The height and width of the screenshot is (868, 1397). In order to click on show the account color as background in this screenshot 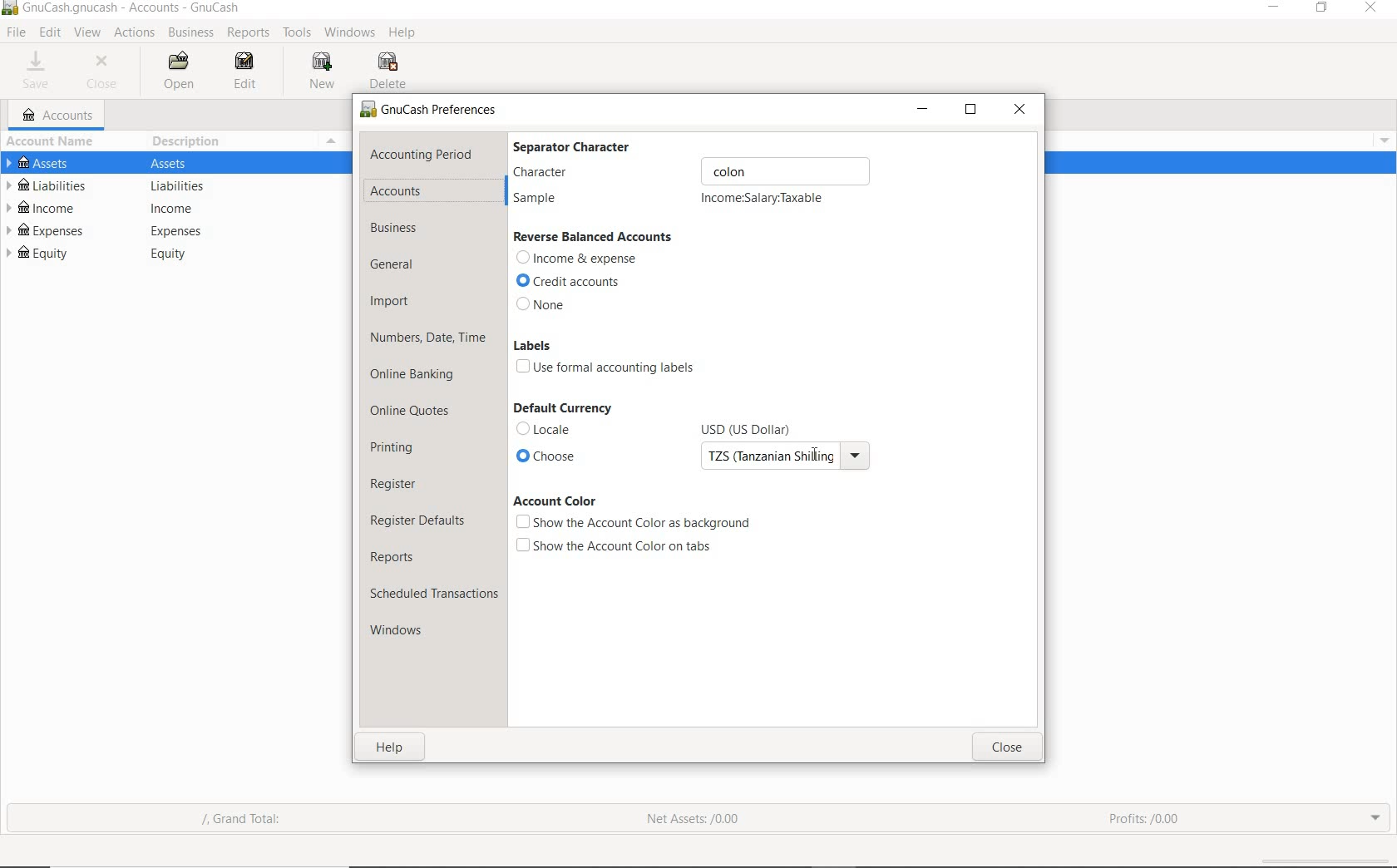, I will do `click(633, 523)`.